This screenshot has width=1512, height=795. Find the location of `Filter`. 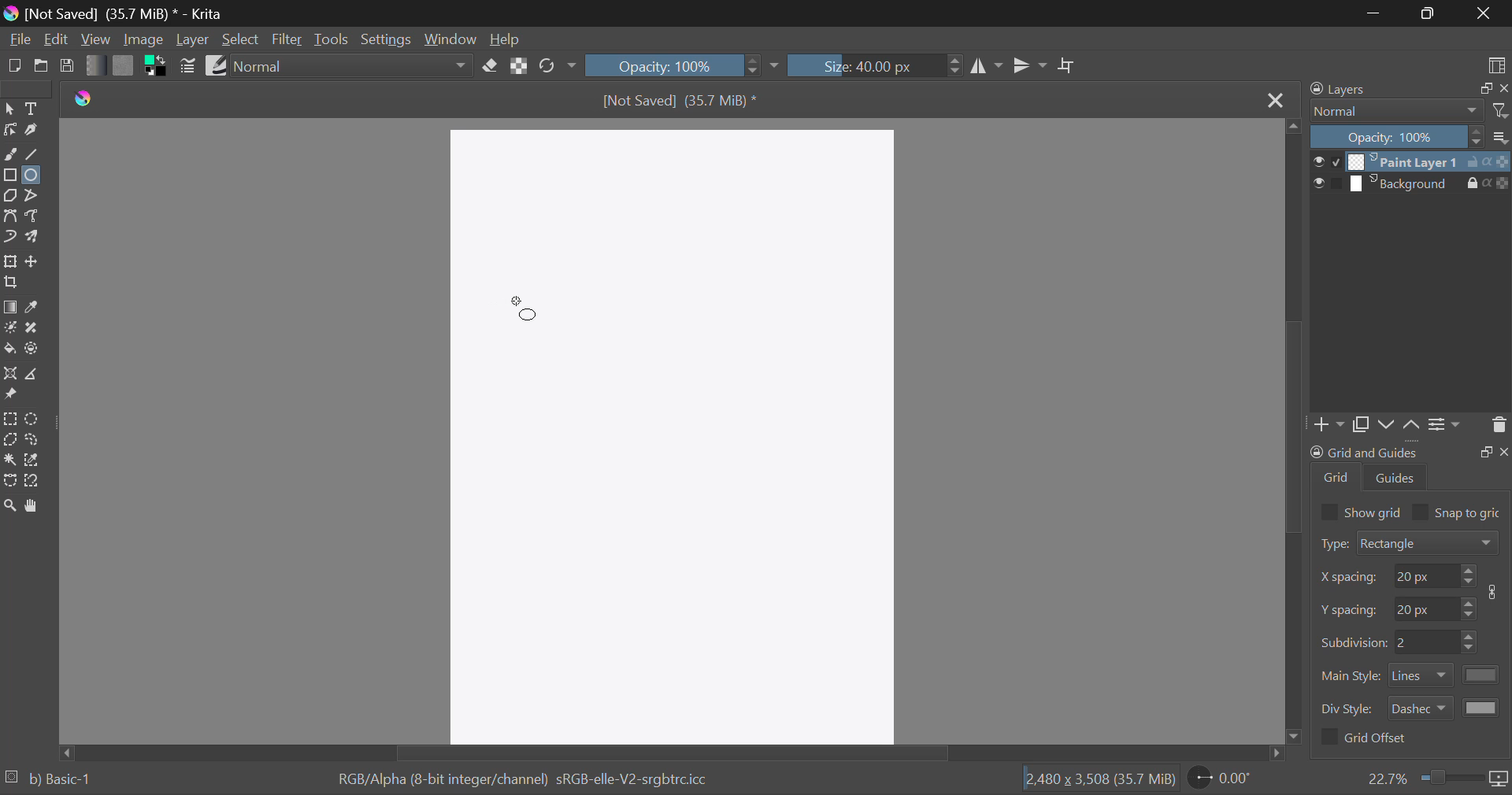

Filter is located at coordinates (288, 39).